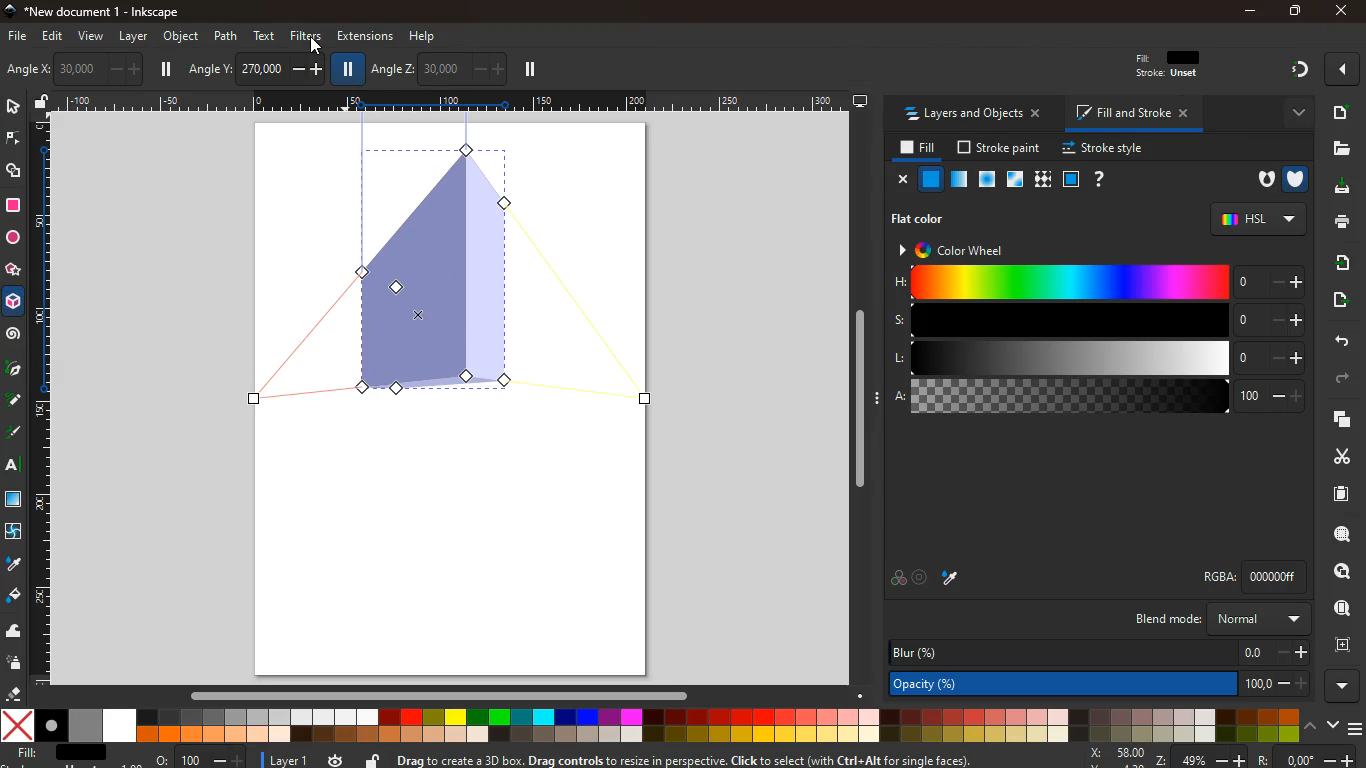 The width and height of the screenshot is (1366, 768). Describe the element at coordinates (15, 305) in the screenshot. I see `3d tool` at that location.